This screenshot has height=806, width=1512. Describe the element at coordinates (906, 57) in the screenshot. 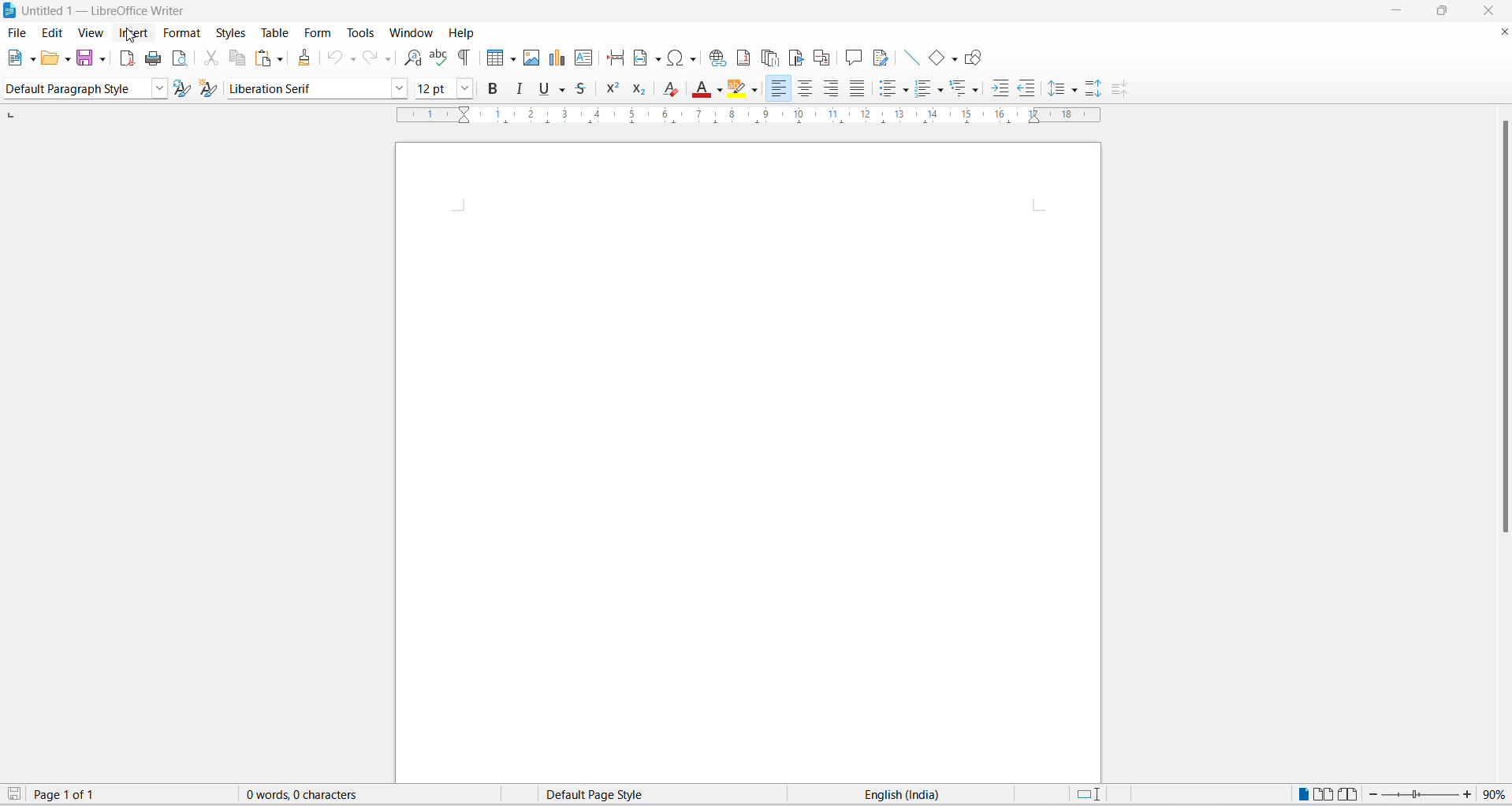

I see `line` at that location.